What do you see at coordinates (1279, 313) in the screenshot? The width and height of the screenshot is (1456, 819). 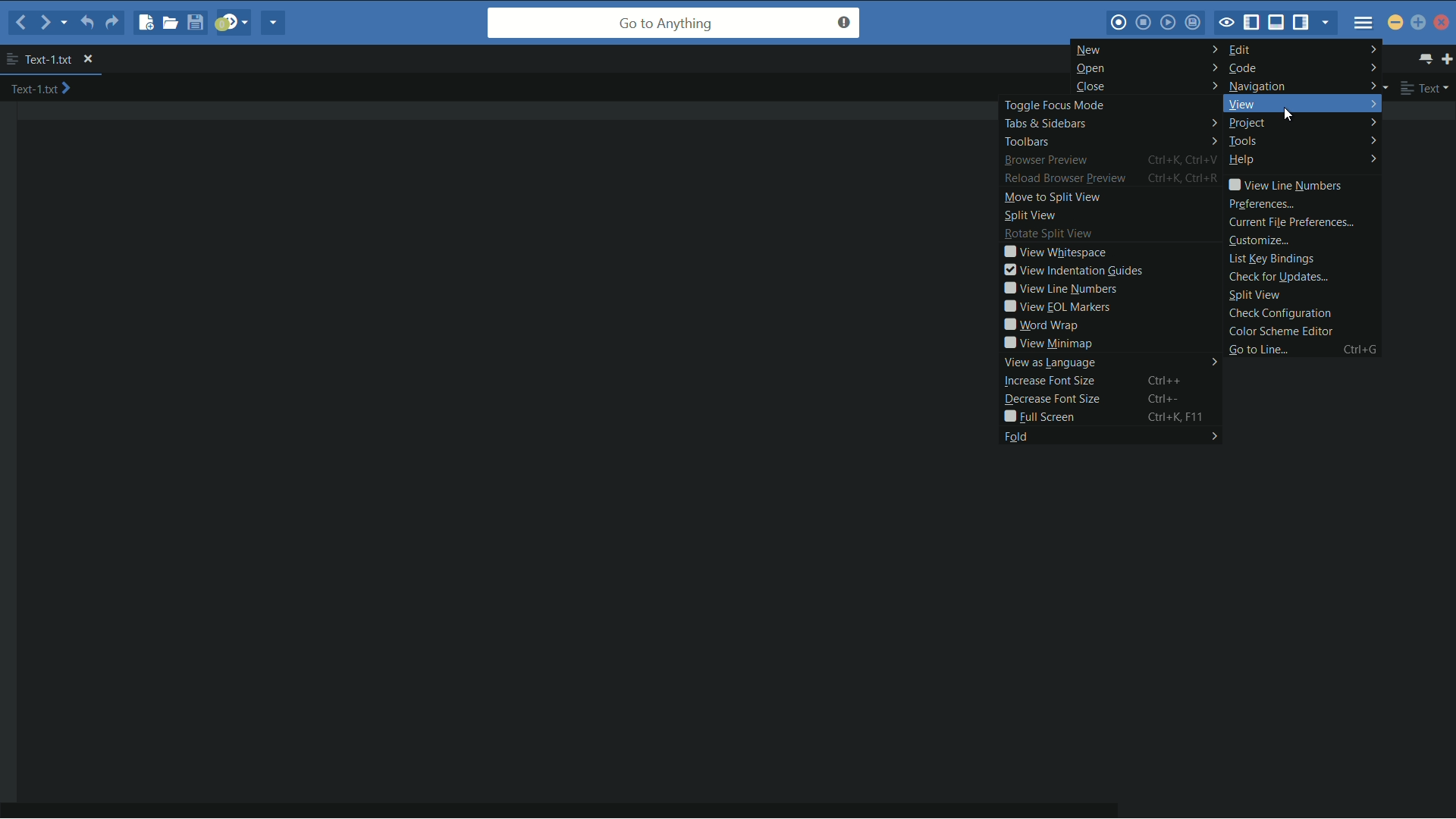 I see `check configuration` at bounding box center [1279, 313].